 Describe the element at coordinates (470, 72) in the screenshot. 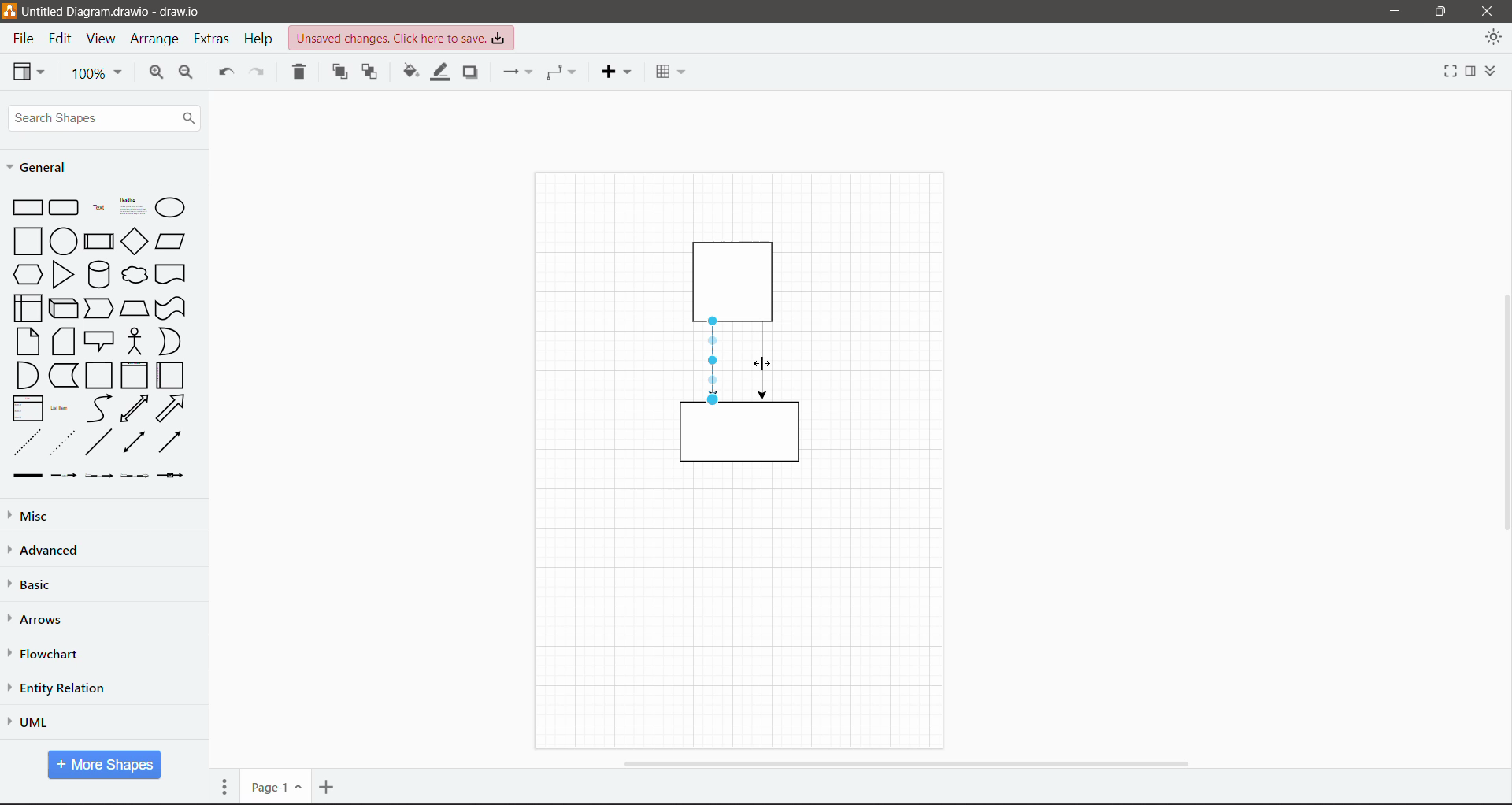

I see `Shadow` at that location.